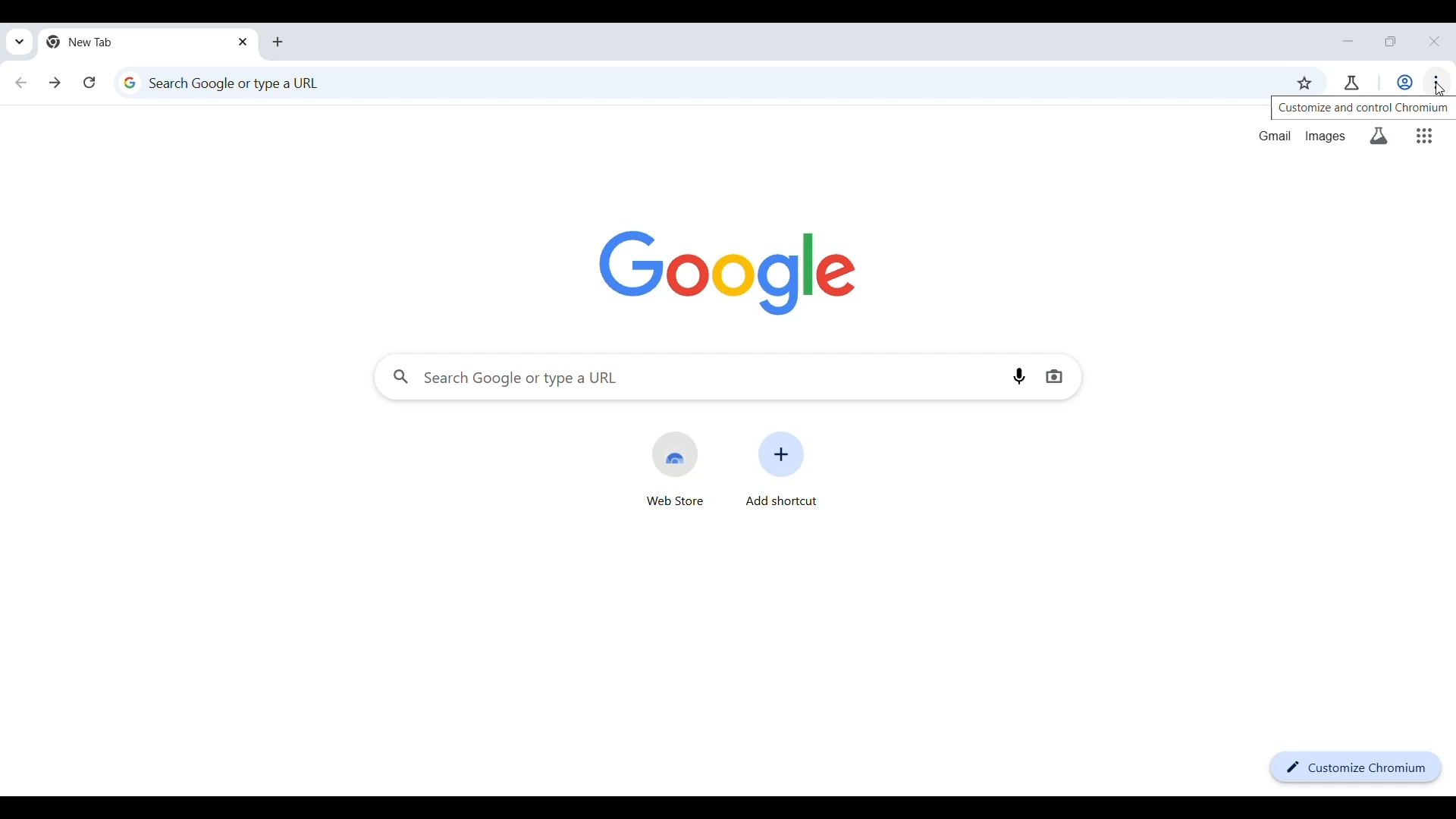 The width and height of the screenshot is (1456, 819). Describe the element at coordinates (1390, 41) in the screenshot. I see `Show interface in a smaller tab` at that location.